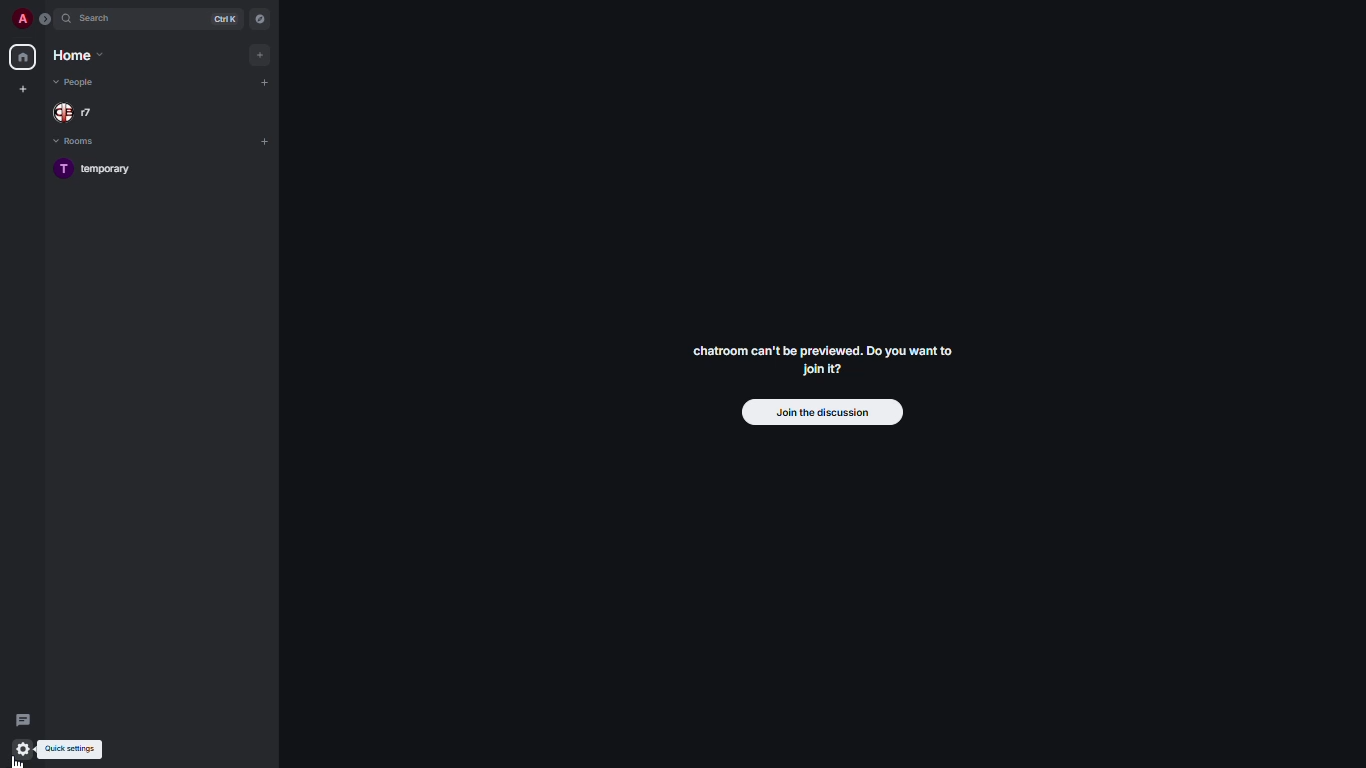 The height and width of the screenshot is (768, 1366). What do you see at coordinates (94, 18) in the screenshot?
I see `search` at bounding box center [94, 18].